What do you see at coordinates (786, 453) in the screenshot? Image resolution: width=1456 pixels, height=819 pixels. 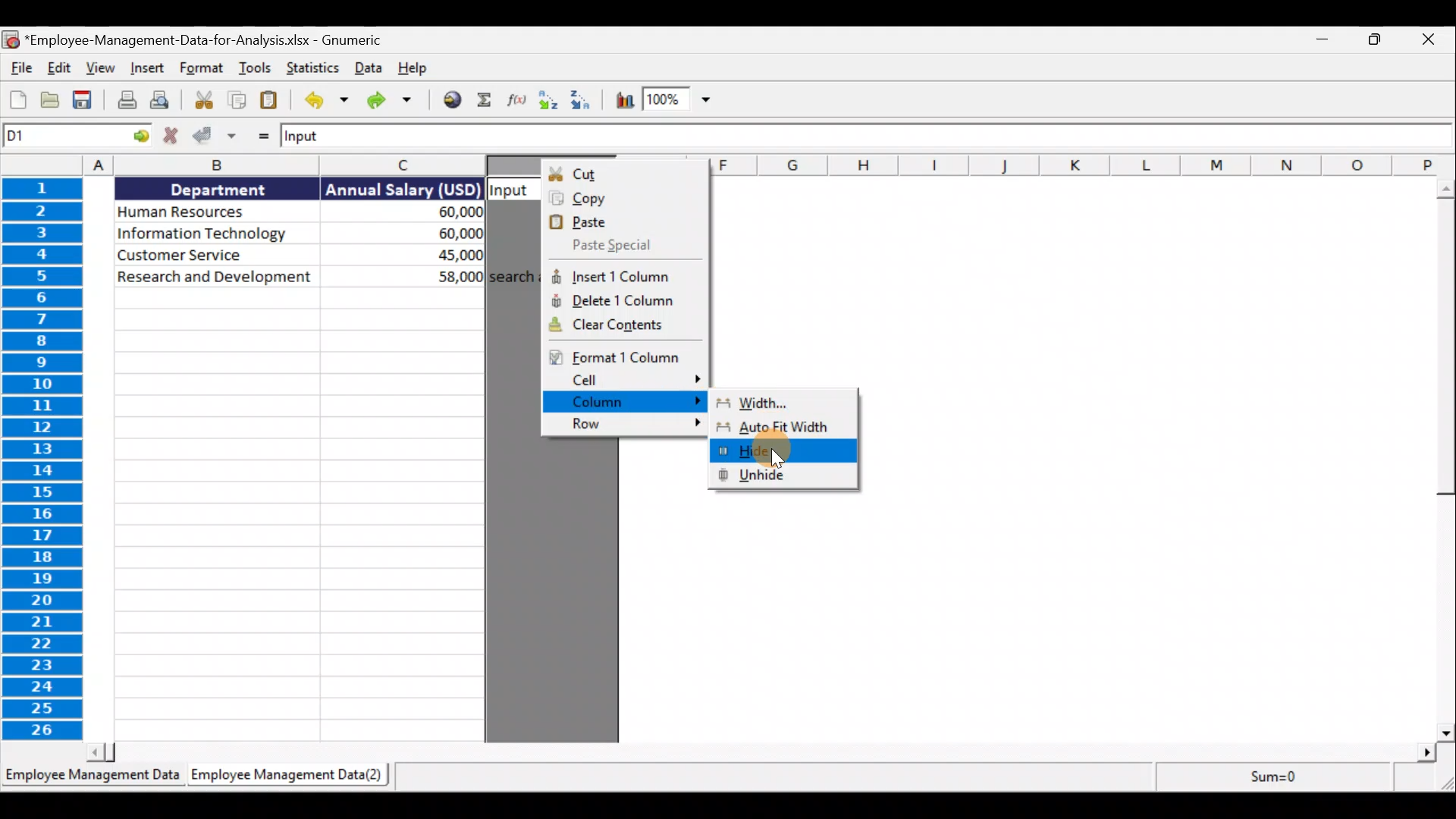 I see `Hide` at bounding box center [786, 453].